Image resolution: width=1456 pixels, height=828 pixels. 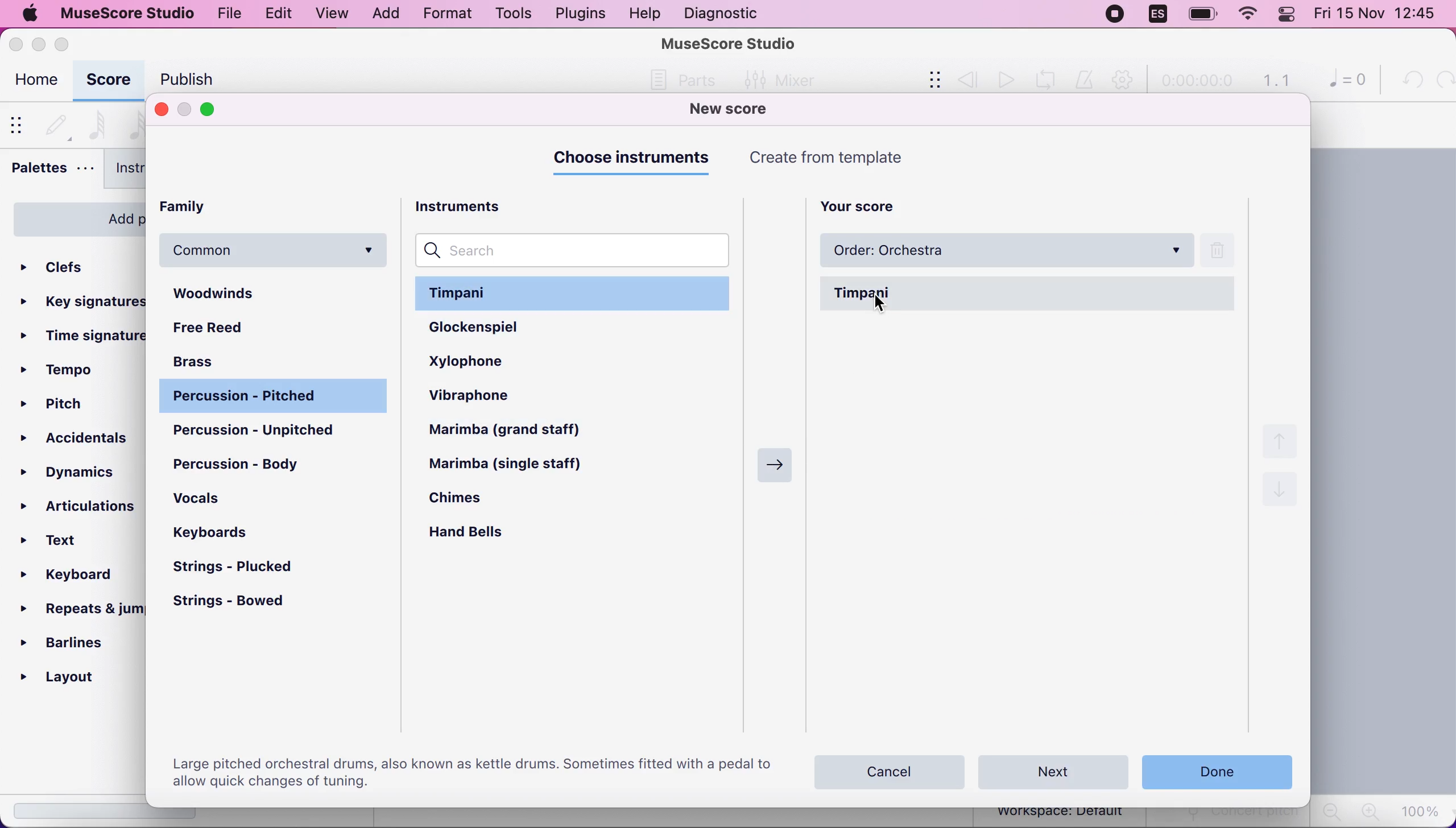 I want to click on down, so click(x=1280, y=494).